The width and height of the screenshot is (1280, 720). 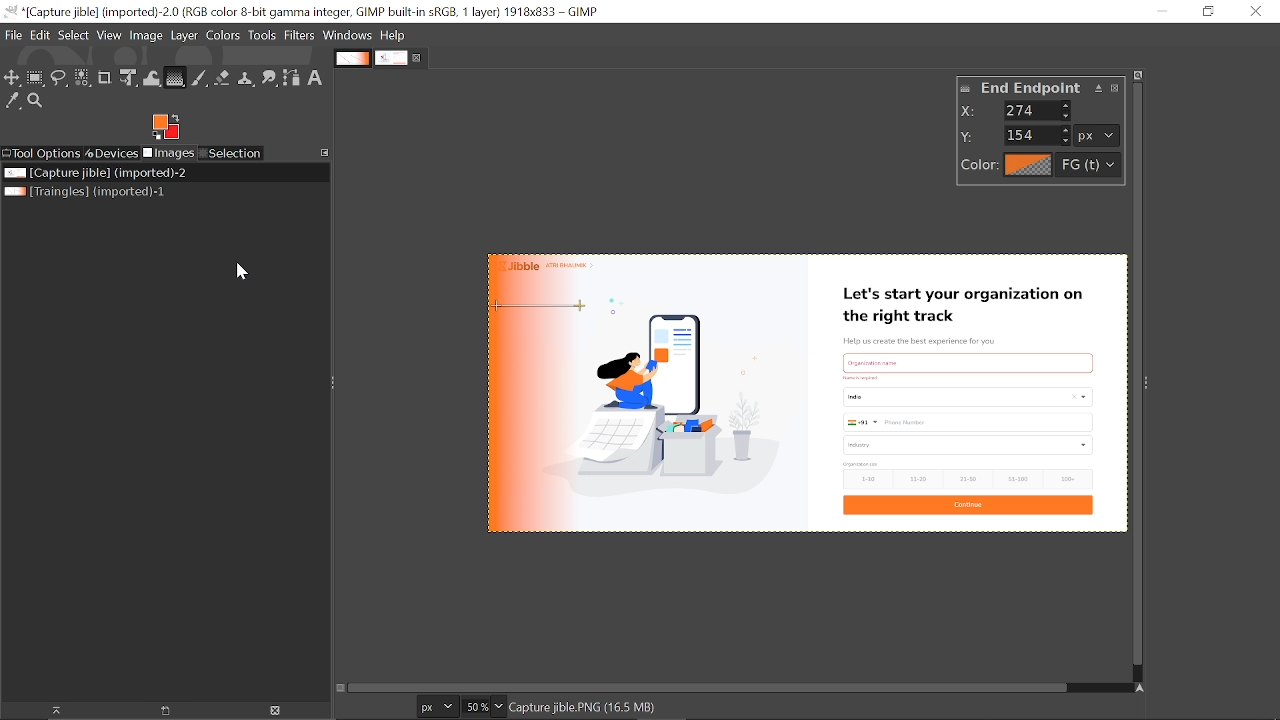 What do you see at coordinates (185, 36) in the screenshot?
I see `Layer` at bounding box center [185, 36].